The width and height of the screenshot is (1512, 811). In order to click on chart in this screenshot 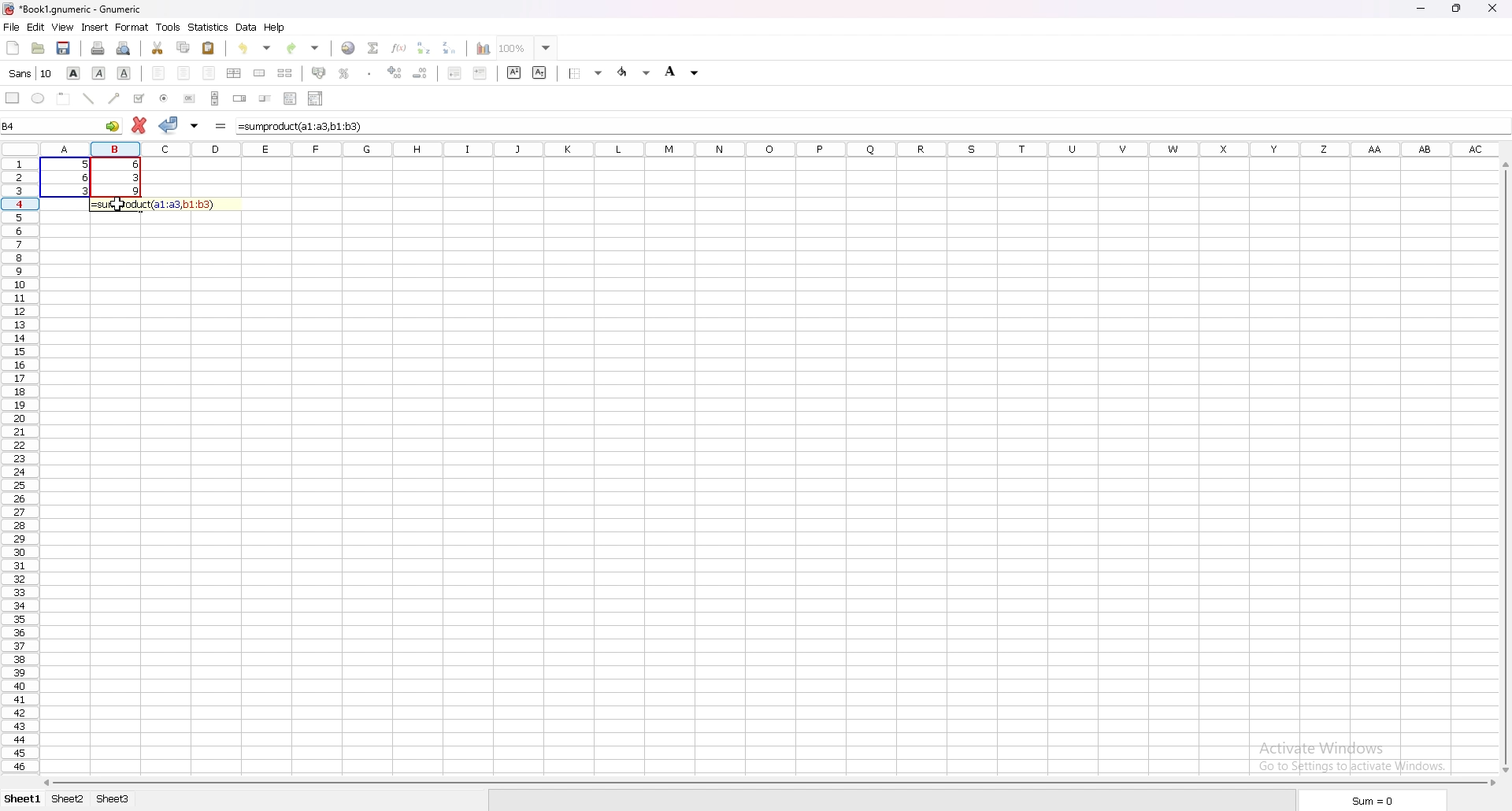, I will do `click(483, 47)`.